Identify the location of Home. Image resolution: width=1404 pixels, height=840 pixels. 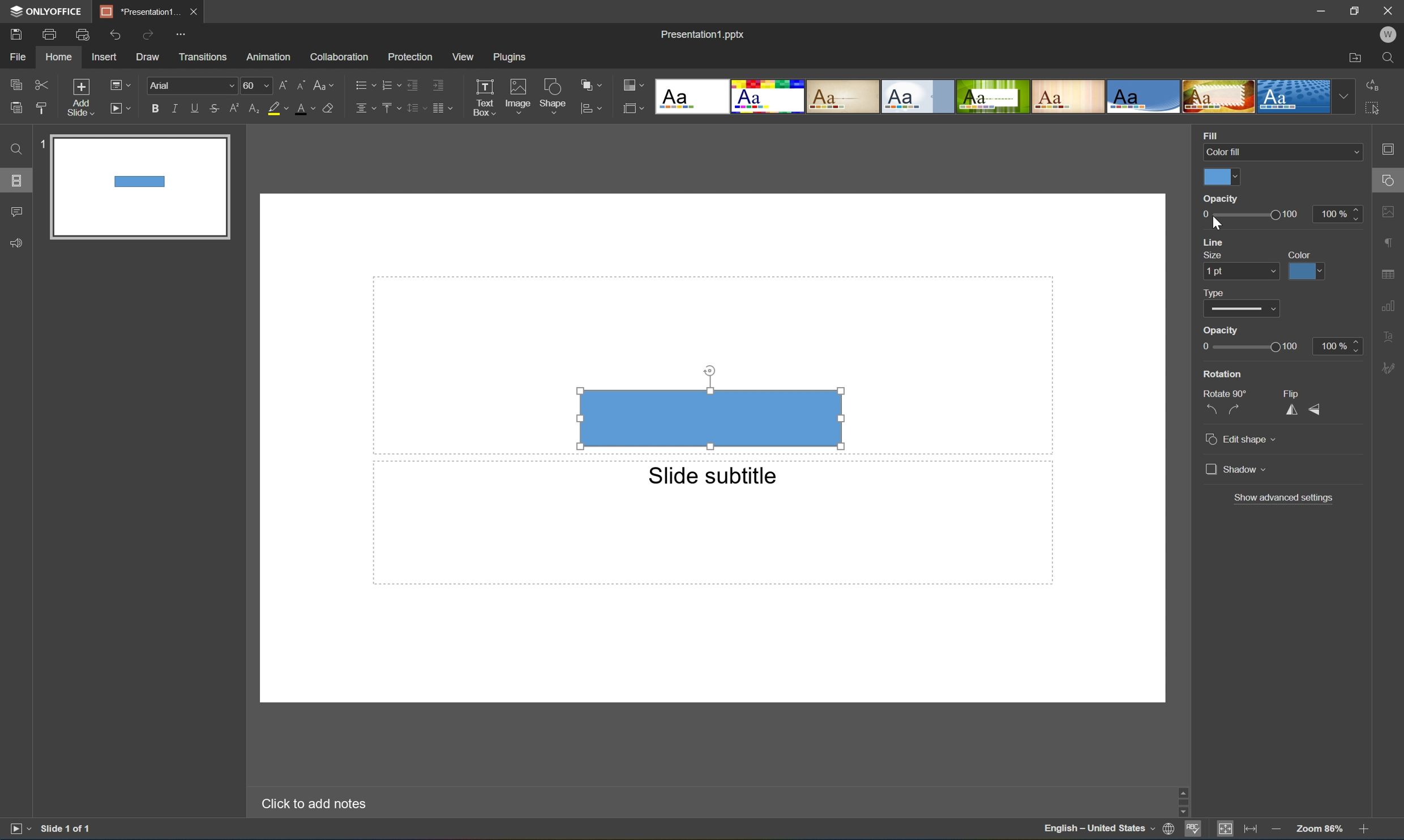
(59, 58).